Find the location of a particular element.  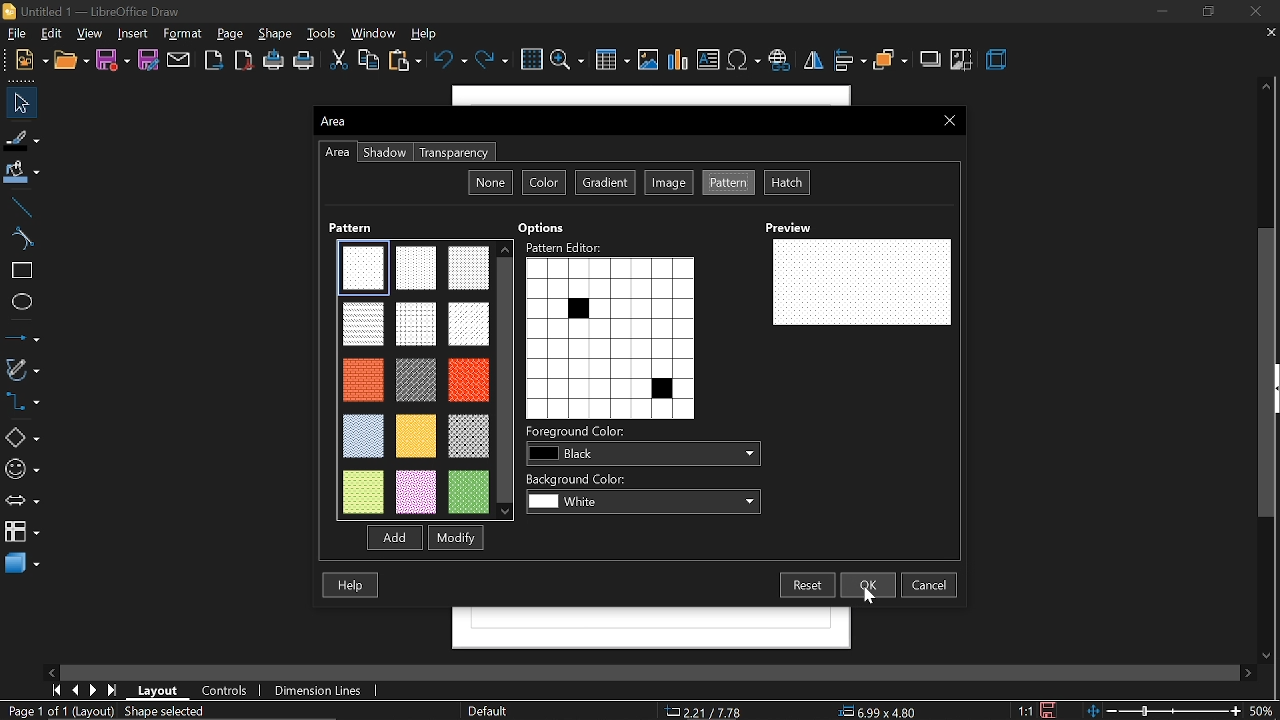

insert image is located at coordinates (650, 60).